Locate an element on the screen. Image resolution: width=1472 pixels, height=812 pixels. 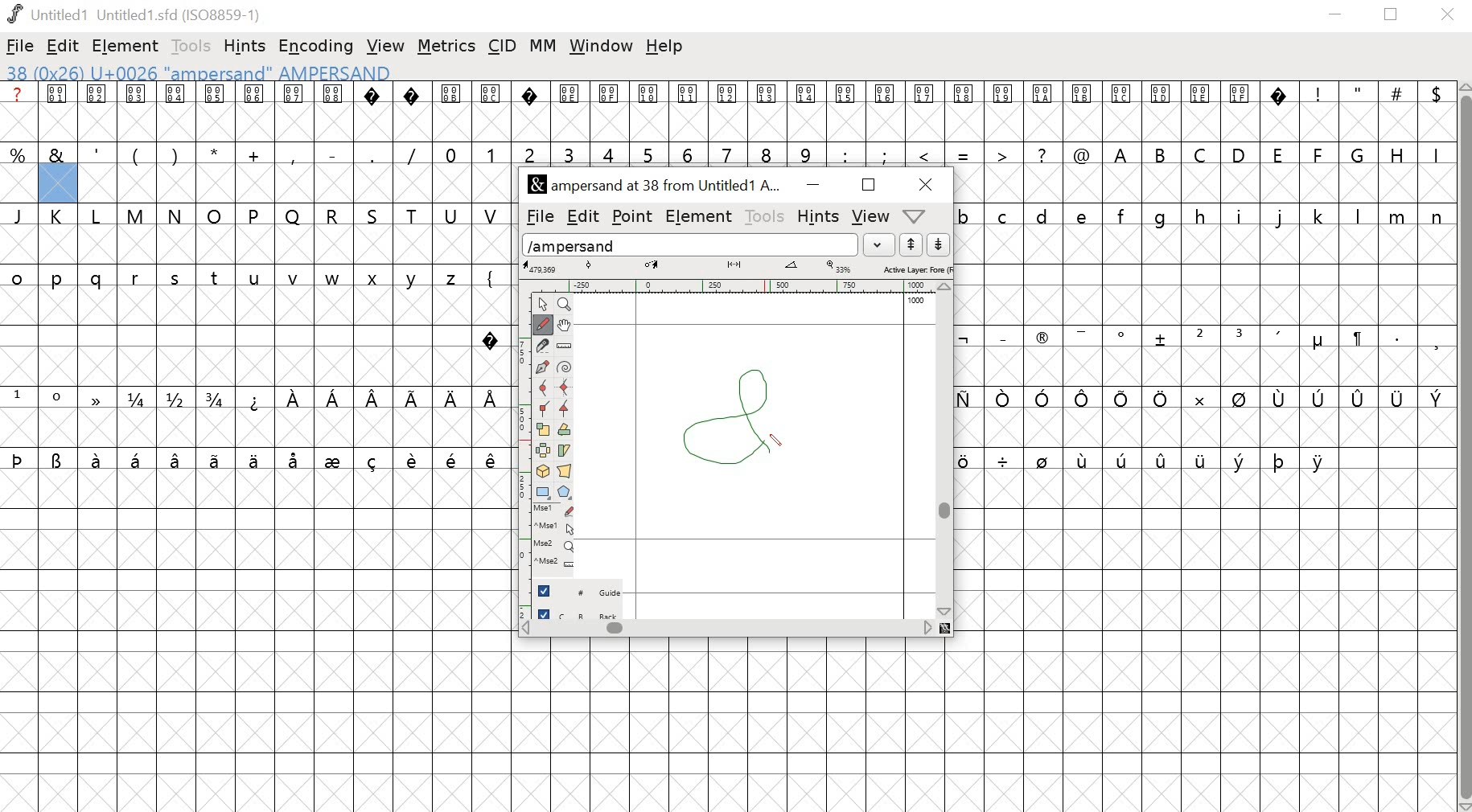
? is located at coordinates (491, 337).